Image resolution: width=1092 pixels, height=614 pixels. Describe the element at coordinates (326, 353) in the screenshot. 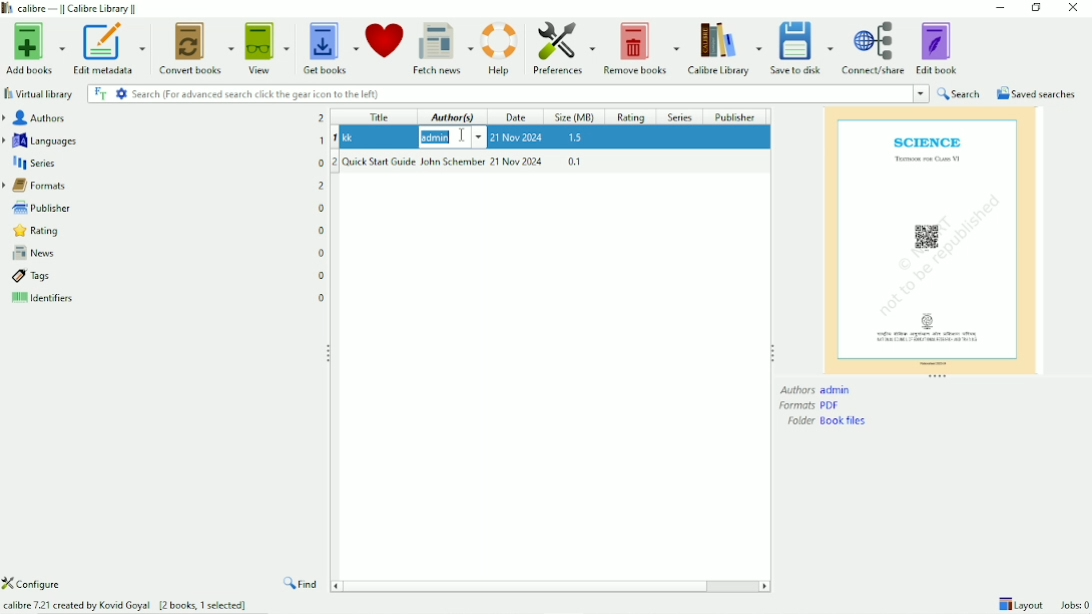

I see `Resize` at that location.